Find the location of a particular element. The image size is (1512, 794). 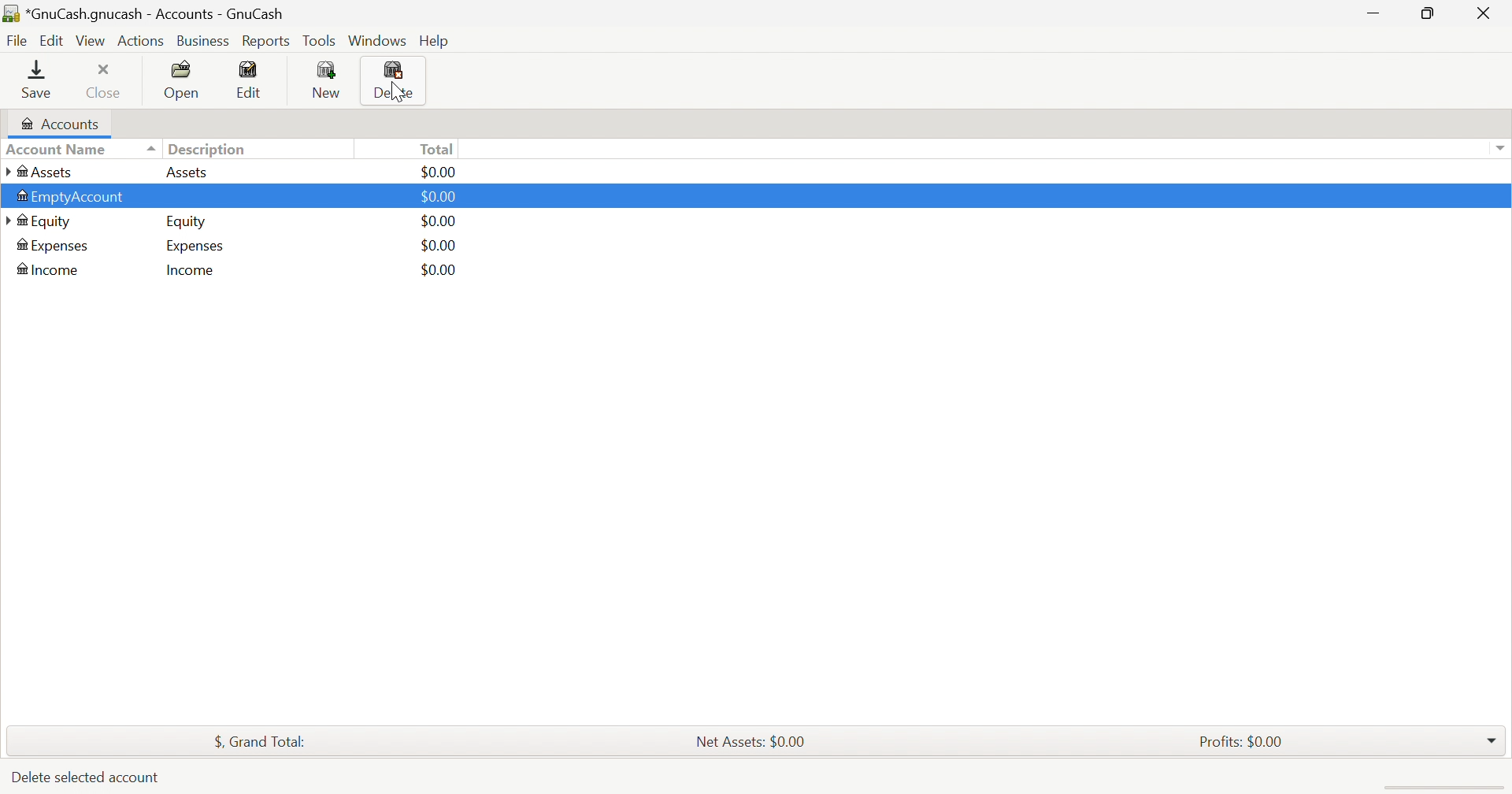

Cursor is located at coordinates (395, 91).